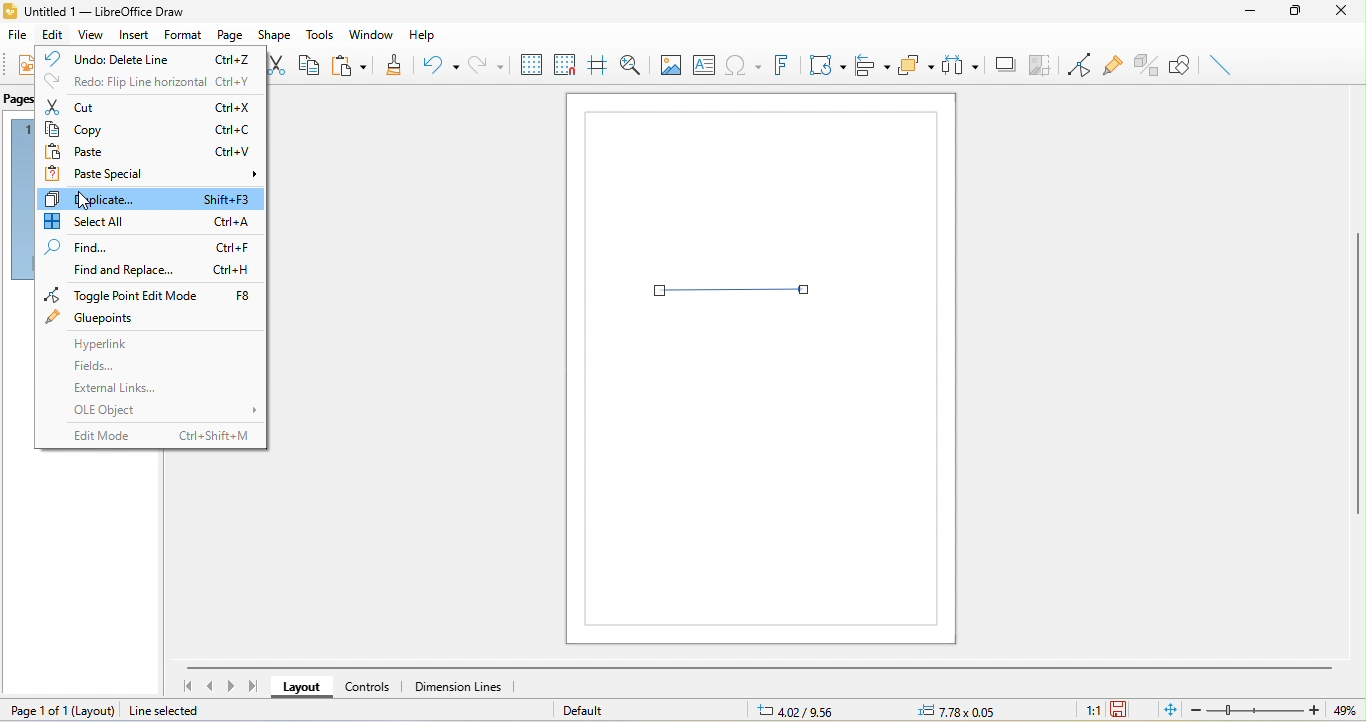 The image size is (1366, 722). What do you see at coordinates (1042, 64) in the screenshot?
I see `crop image` at bounding box center [1042, 64].